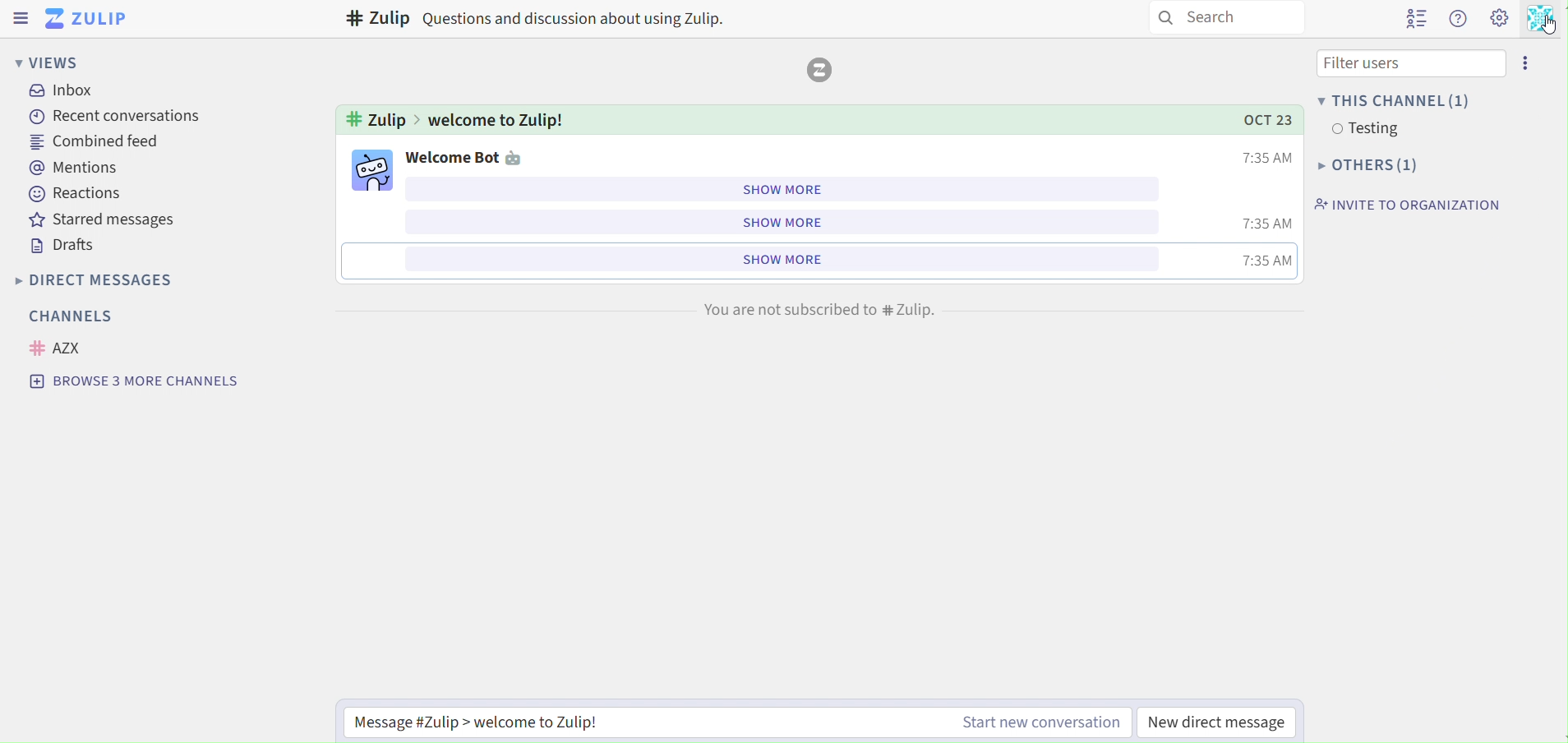 The image size is (1568, 743). Describe the element at coordinates (815, 311) in the screenshot. I see `You are not Subscribed to #Zulip` at that location.